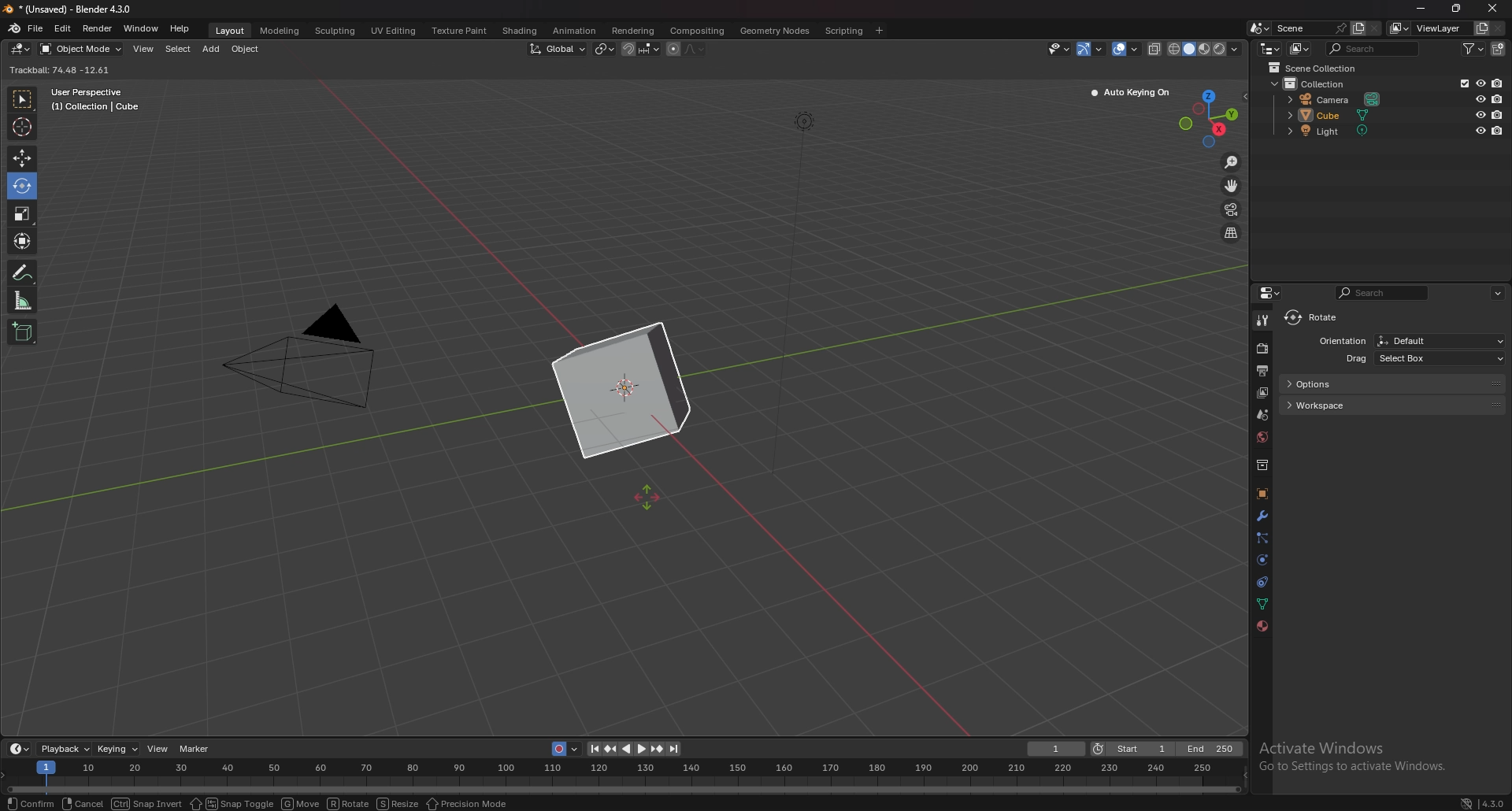 The height and width of the screenshot is (811, 1512). What do you see at coordinates (1263, 348) in the screenshot?
I see `render` at bounding box center [1263, 348].